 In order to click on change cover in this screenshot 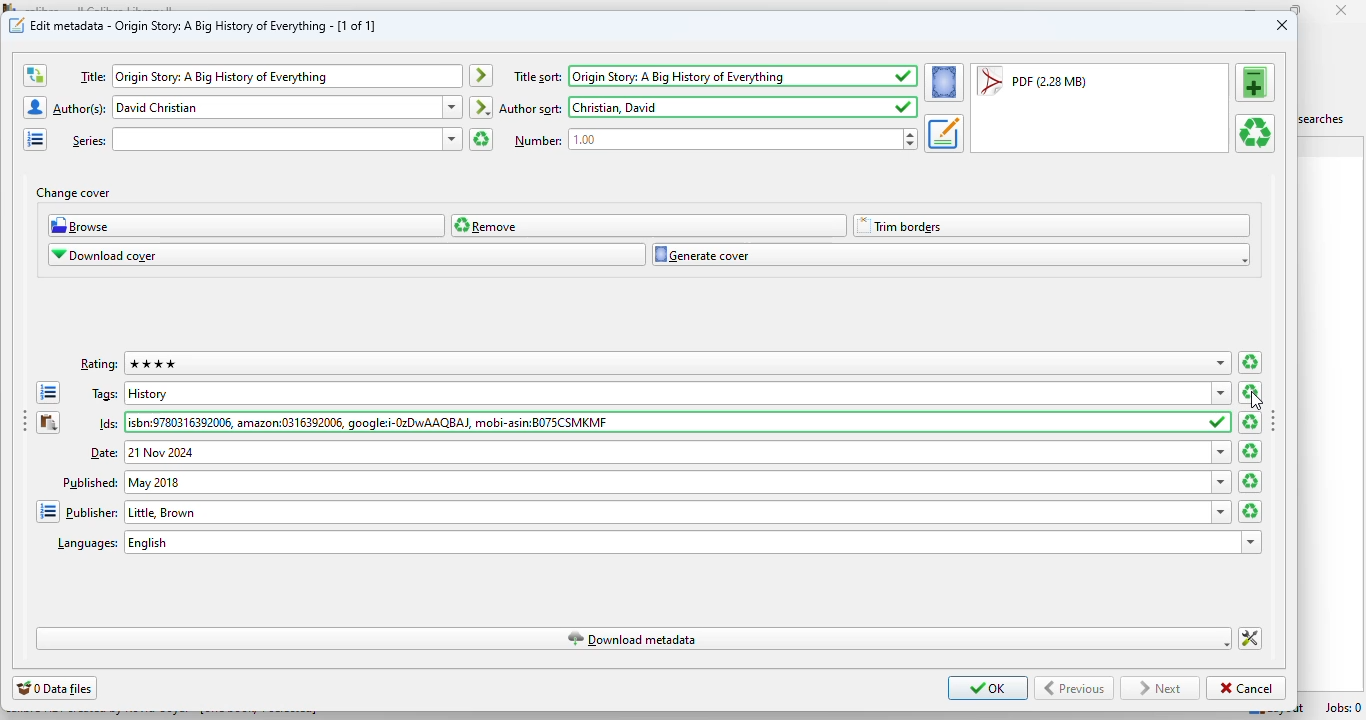, I will do `click(73, 194)`.